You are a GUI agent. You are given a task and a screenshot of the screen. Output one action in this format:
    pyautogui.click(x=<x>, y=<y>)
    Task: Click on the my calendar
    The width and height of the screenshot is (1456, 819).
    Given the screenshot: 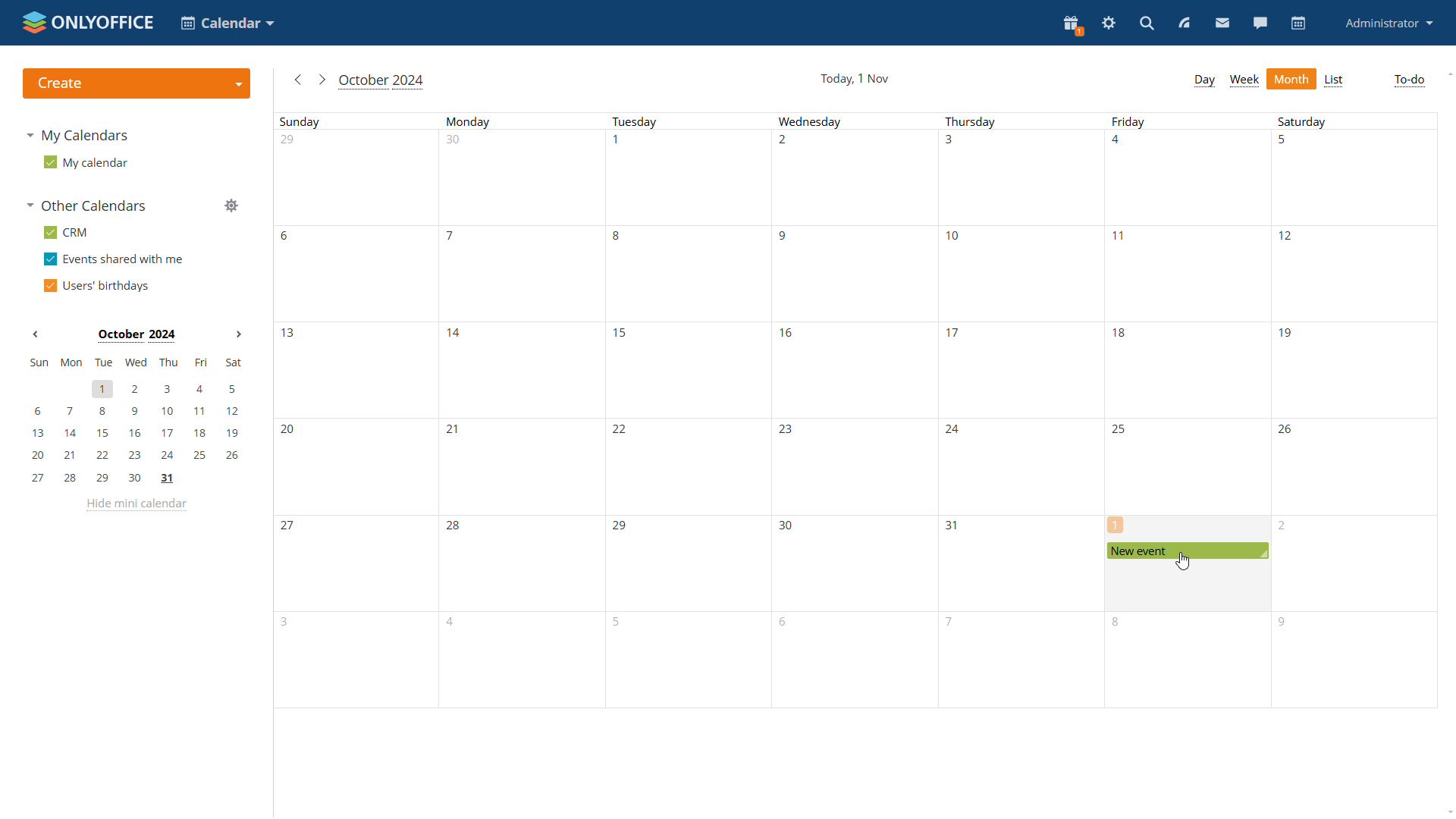 What is the action you would take?
    pyautogui.click(x=86, y=163)
    